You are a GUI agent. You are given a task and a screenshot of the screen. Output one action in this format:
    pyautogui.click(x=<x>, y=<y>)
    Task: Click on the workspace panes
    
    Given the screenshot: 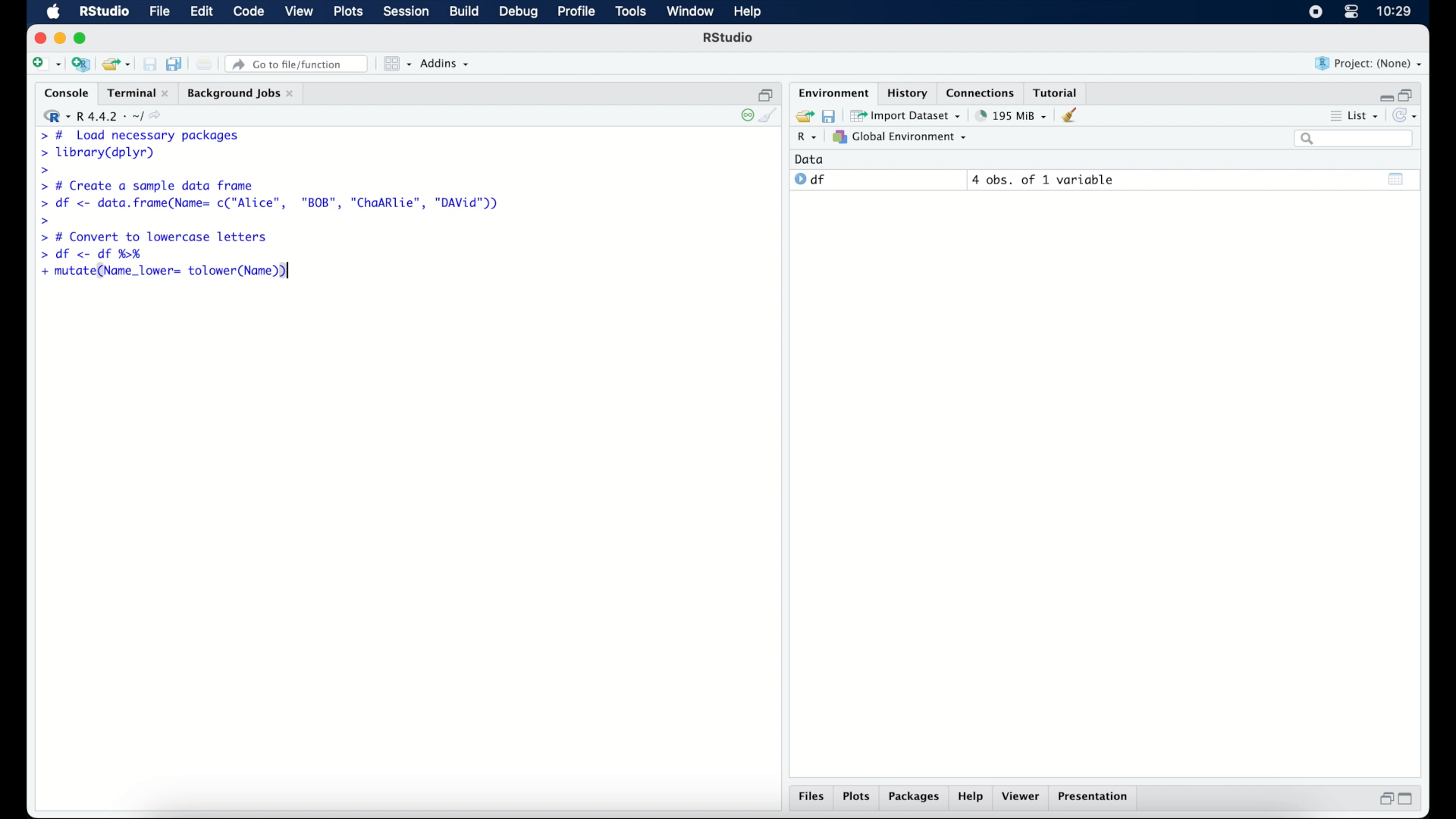 What is the action you would take?
    pyautogui.click(x=396, y=64)
    